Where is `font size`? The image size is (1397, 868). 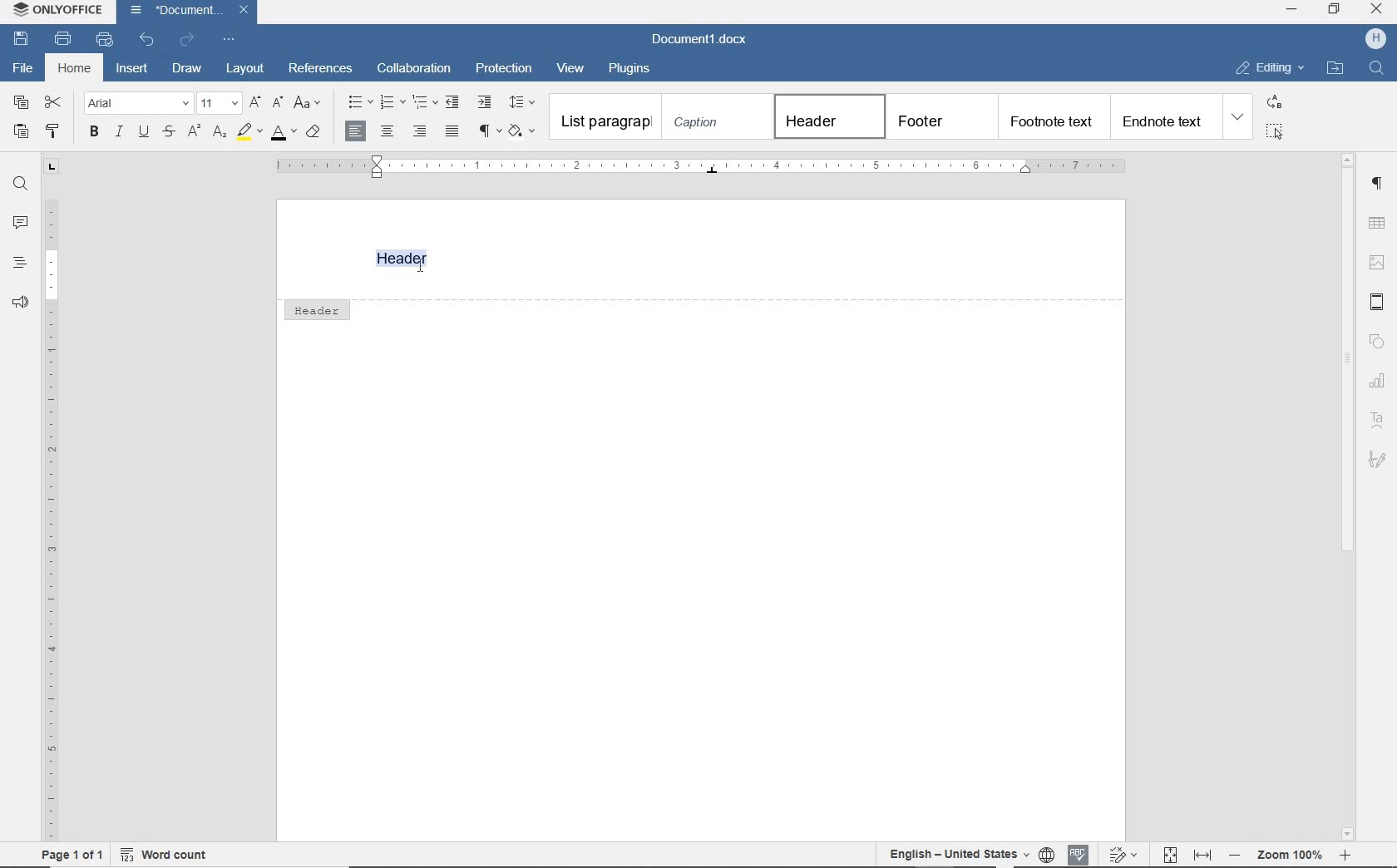 font size is located at coordinates (220, 103).